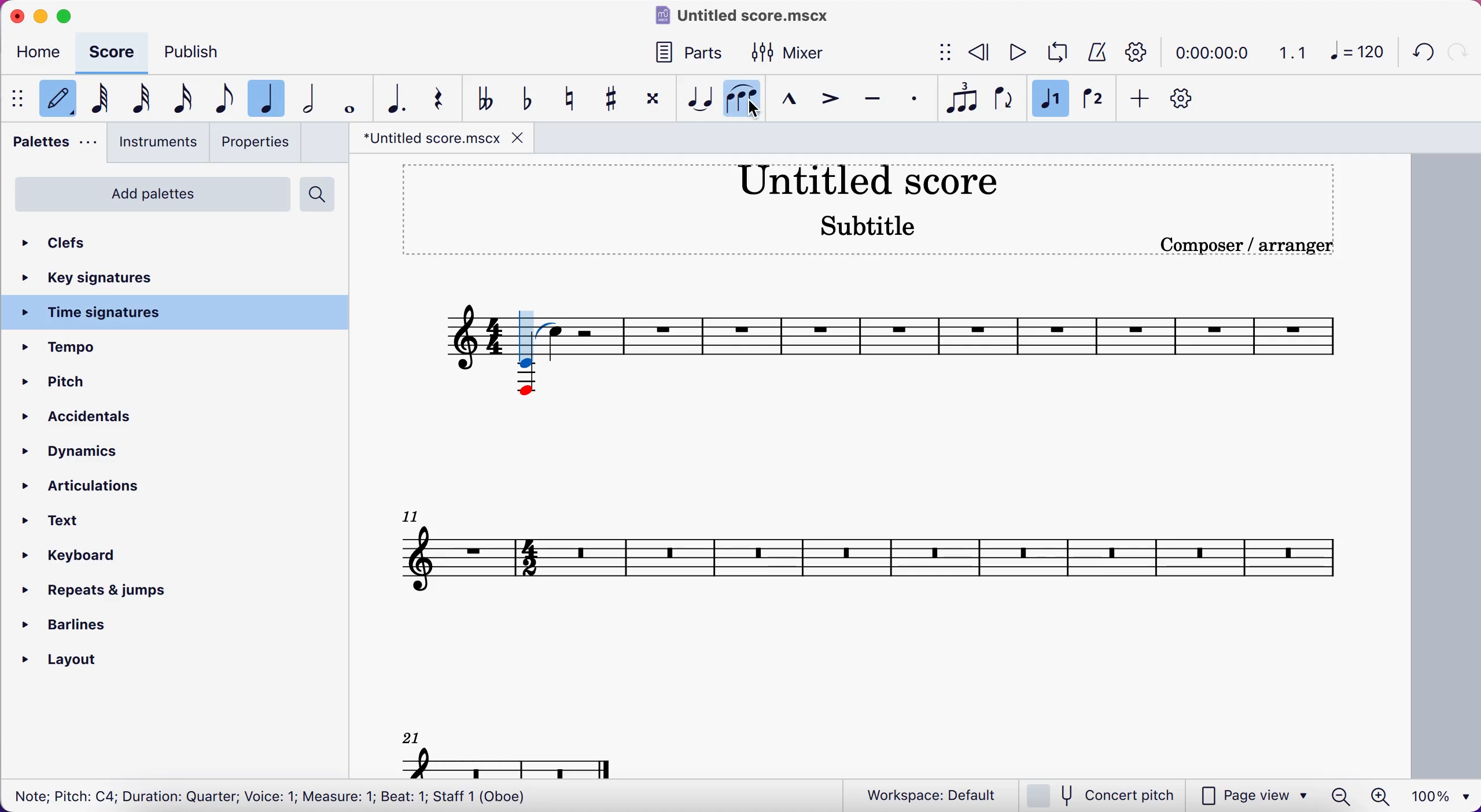  Describe the element at coordinates (1100, 795) in the screenshot. I see `concert pitch` at that location.